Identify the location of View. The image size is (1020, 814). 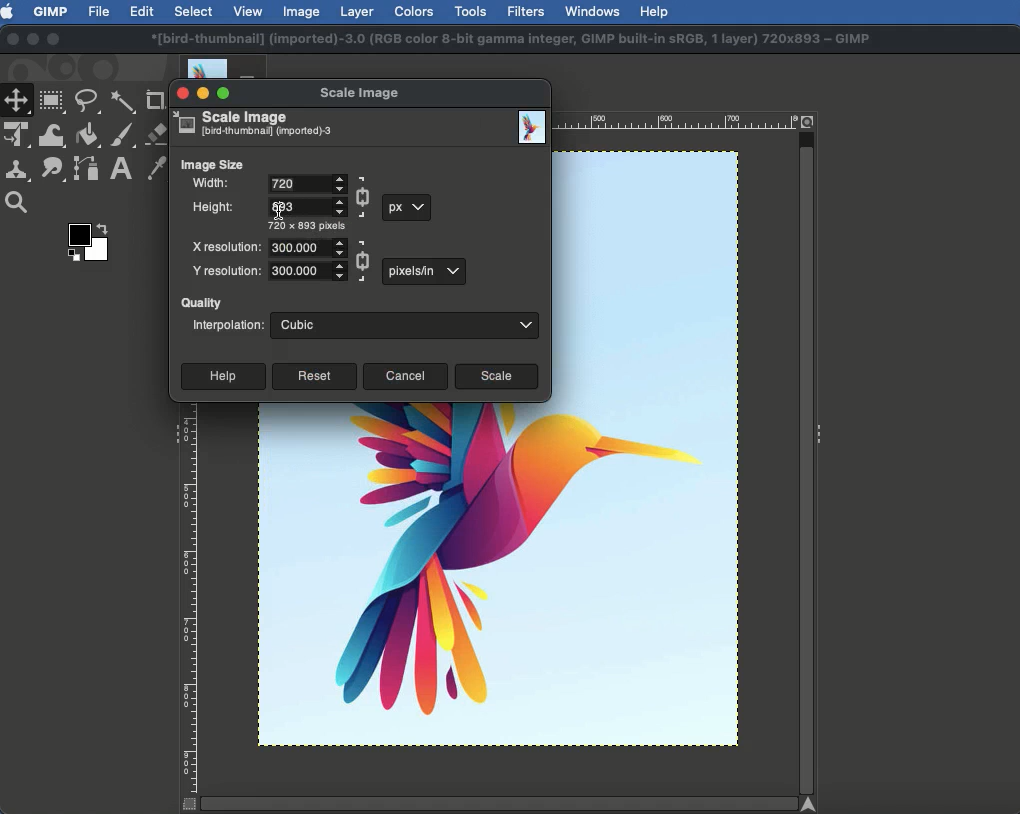
(249, 10).